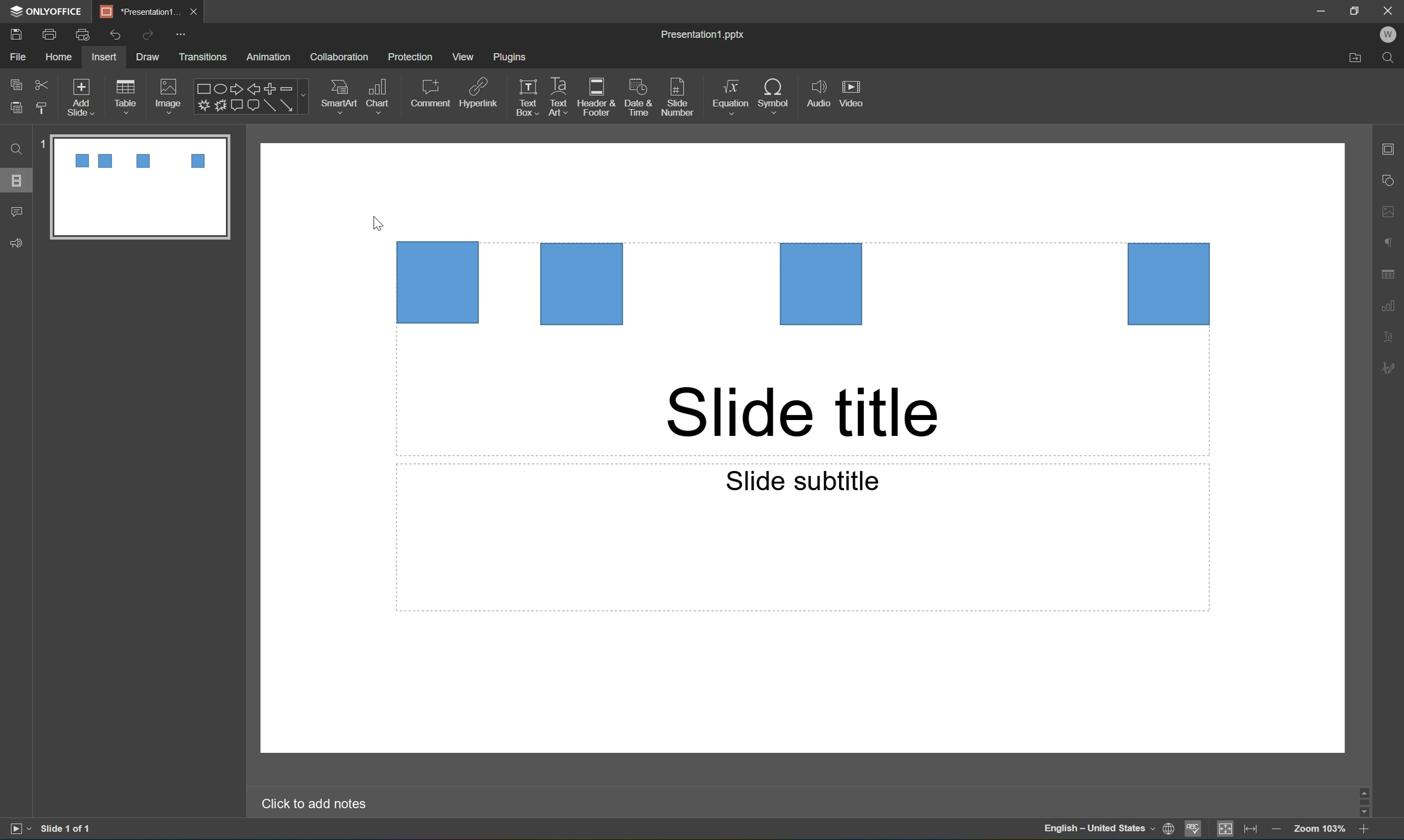 The height and width of the screenshot is (840, 1404). Describe the element at coordinates (704, 36) in the screenshot. I see `Presentation1.pptx` at that location.